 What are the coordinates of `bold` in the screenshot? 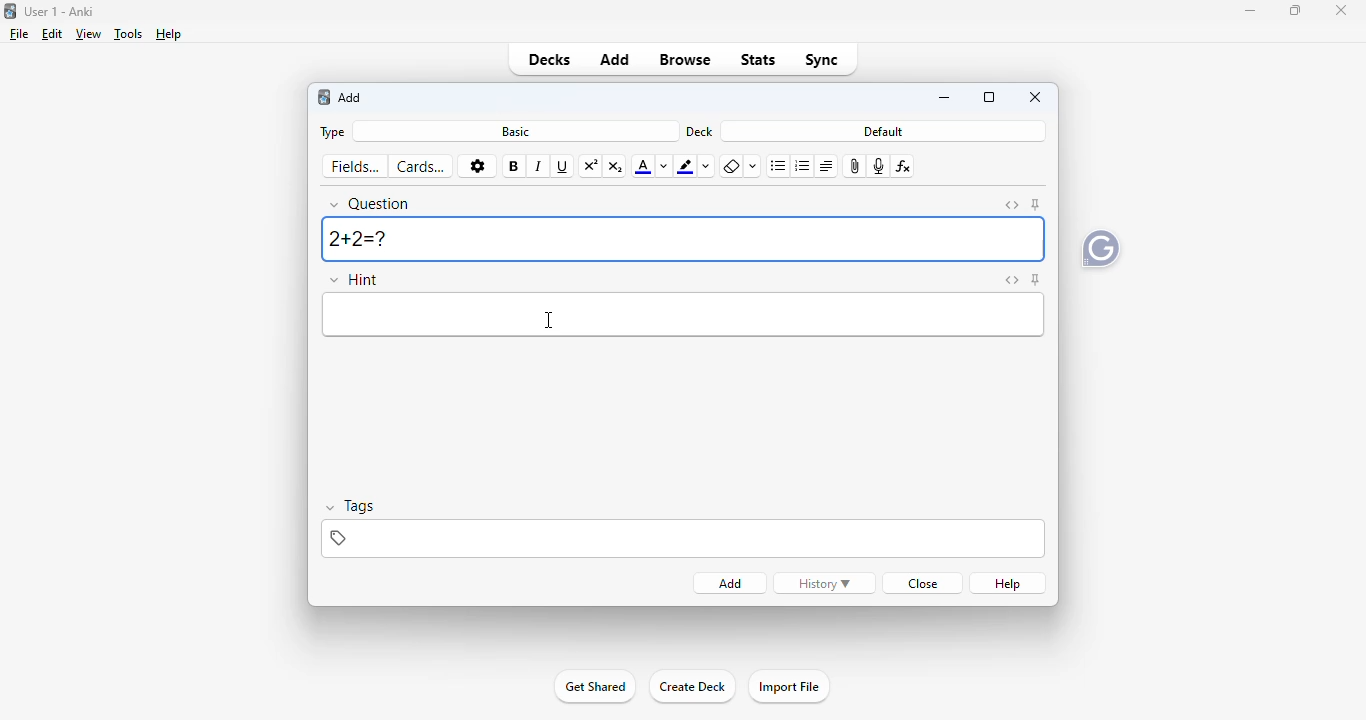 It's located at (513, 167).